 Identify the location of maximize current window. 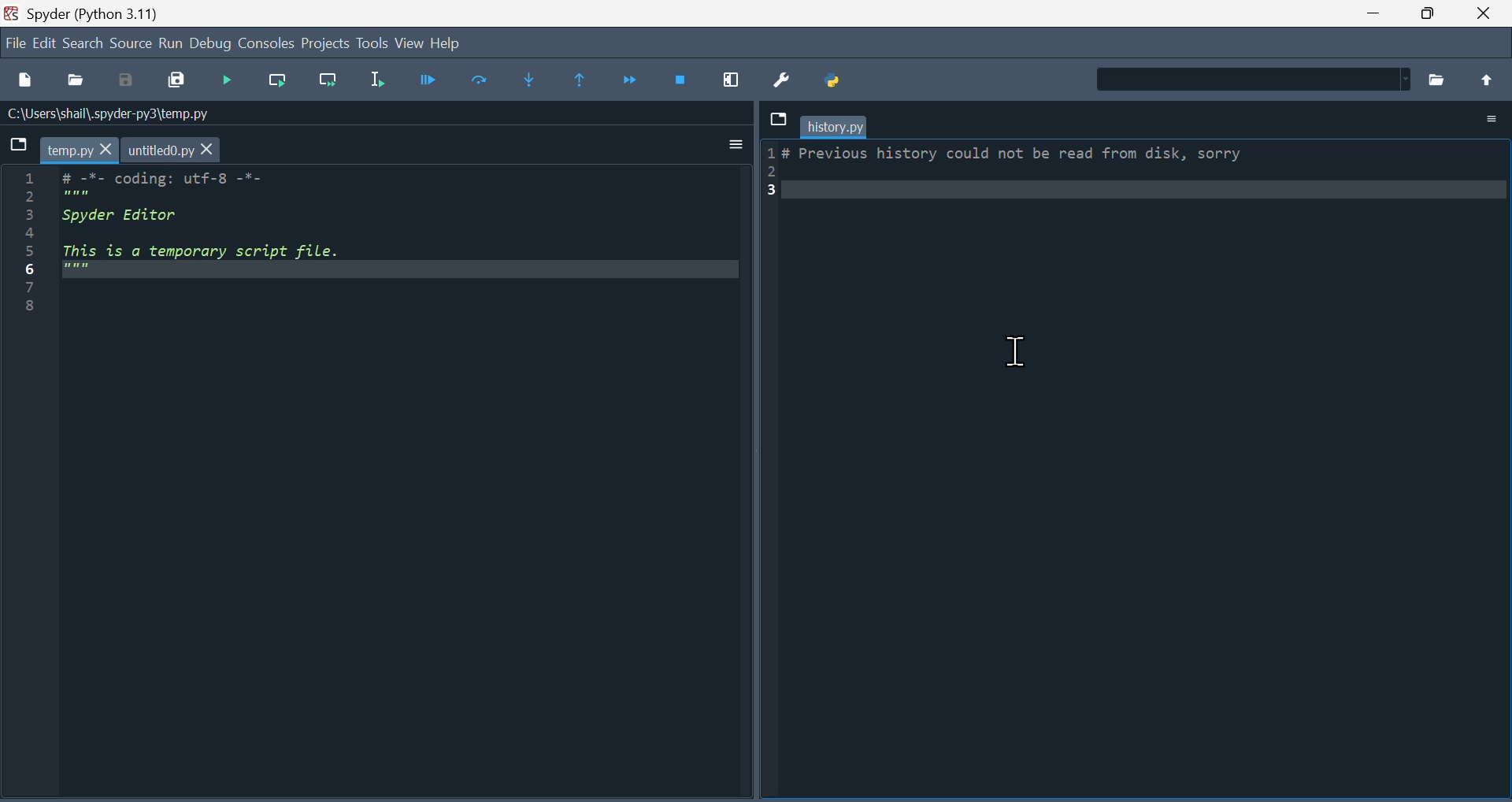
(736, 77).